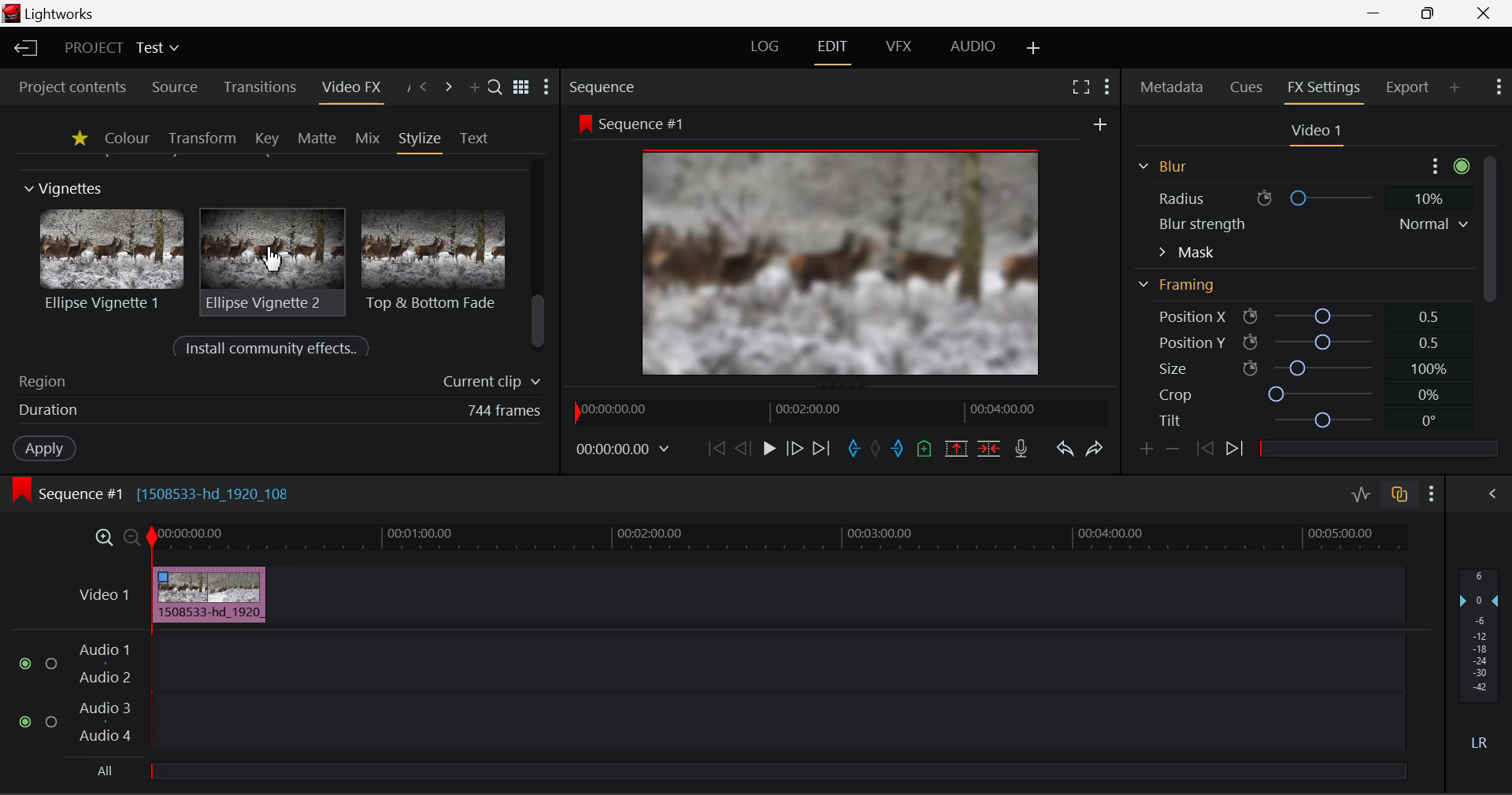 This screenshot has height=795, width=1512. I want to click on Remove keyframe, so click(1173, 448).